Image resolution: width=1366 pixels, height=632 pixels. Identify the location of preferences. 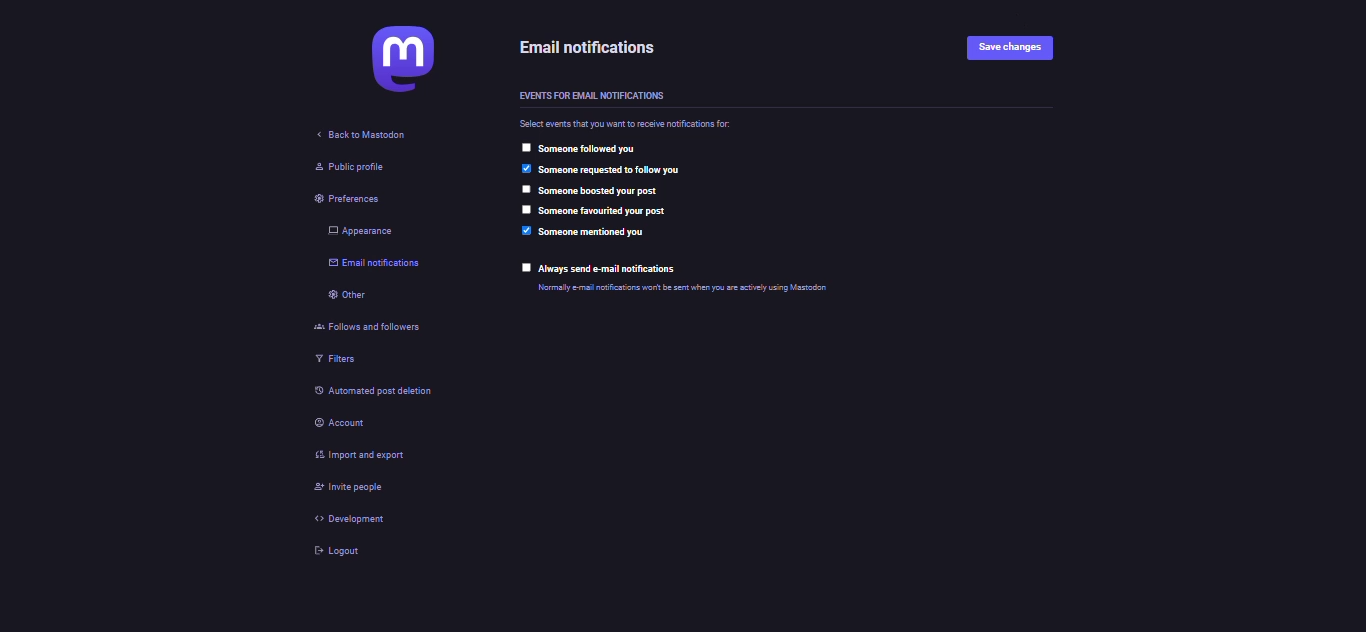
(338, 200).